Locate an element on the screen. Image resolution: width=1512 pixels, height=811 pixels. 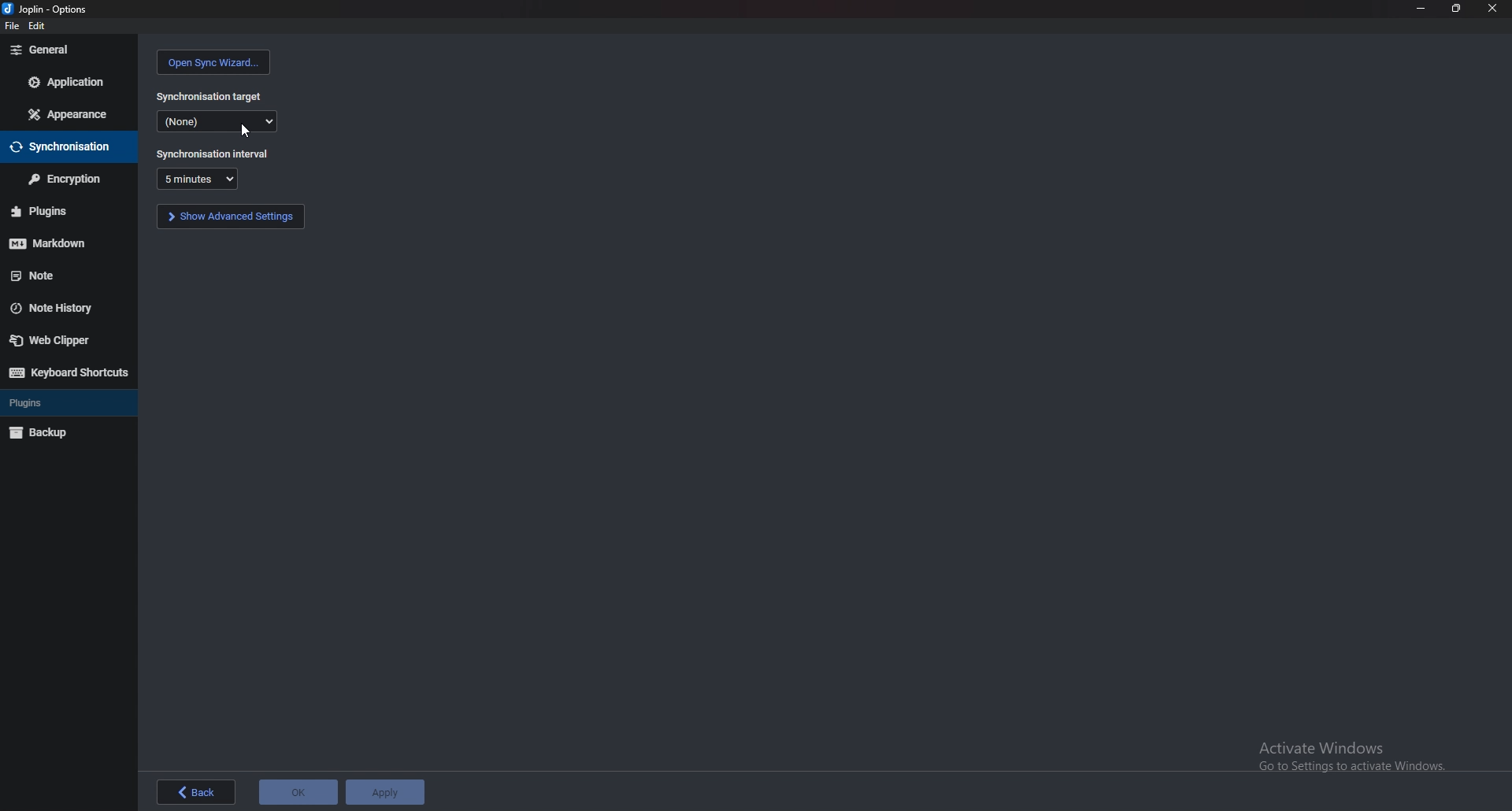
none is located at coordinates (214, 122).